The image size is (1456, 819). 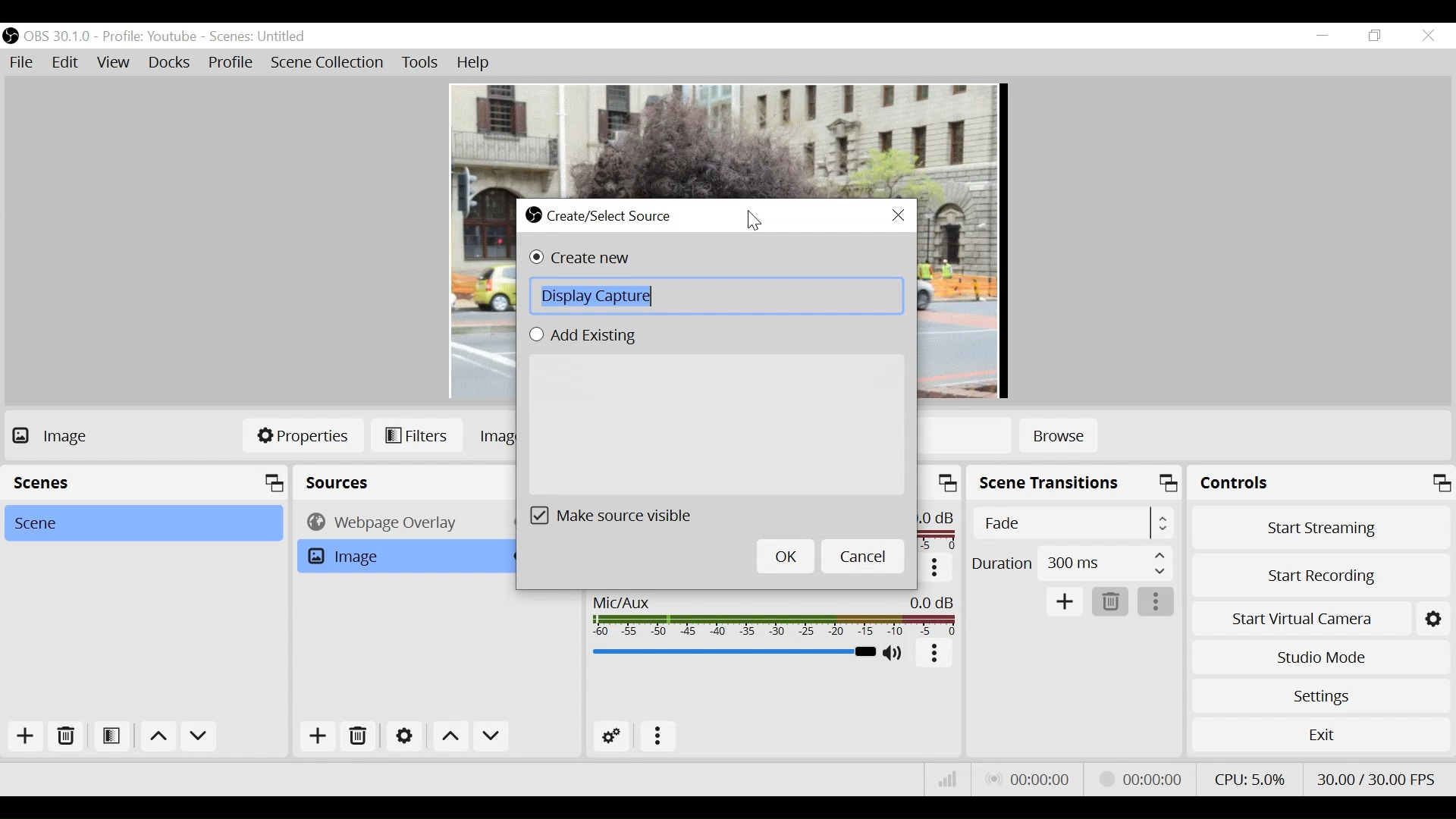 What do you see at coordinates (452, 737) in the screenshot?
I see `Move Up` at bounding box center [452, 737].